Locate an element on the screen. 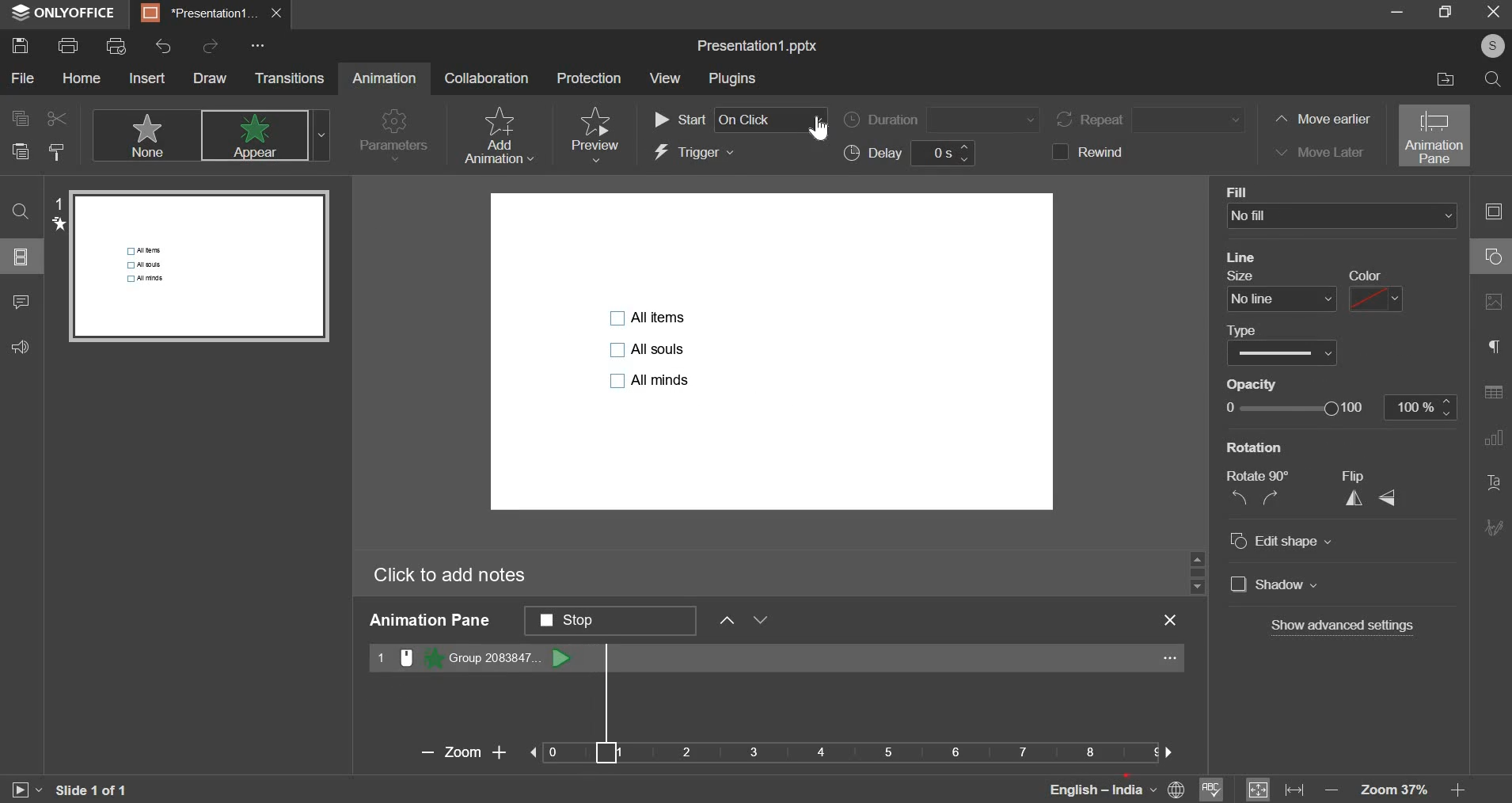 The image size is (1512, 803). copy style is located at coordinates (59, 151).